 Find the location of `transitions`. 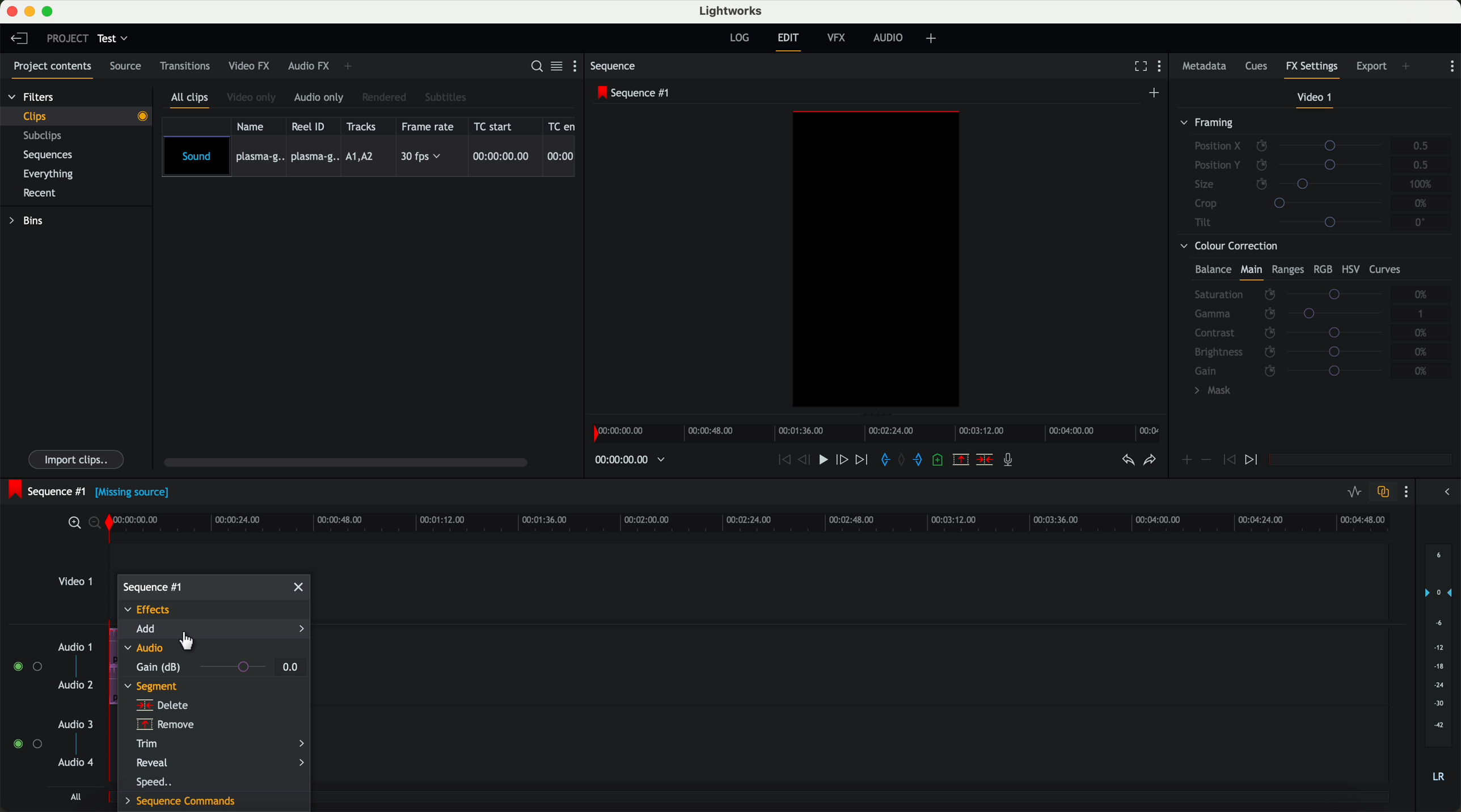

transitions is located at coordinates (185, 68).